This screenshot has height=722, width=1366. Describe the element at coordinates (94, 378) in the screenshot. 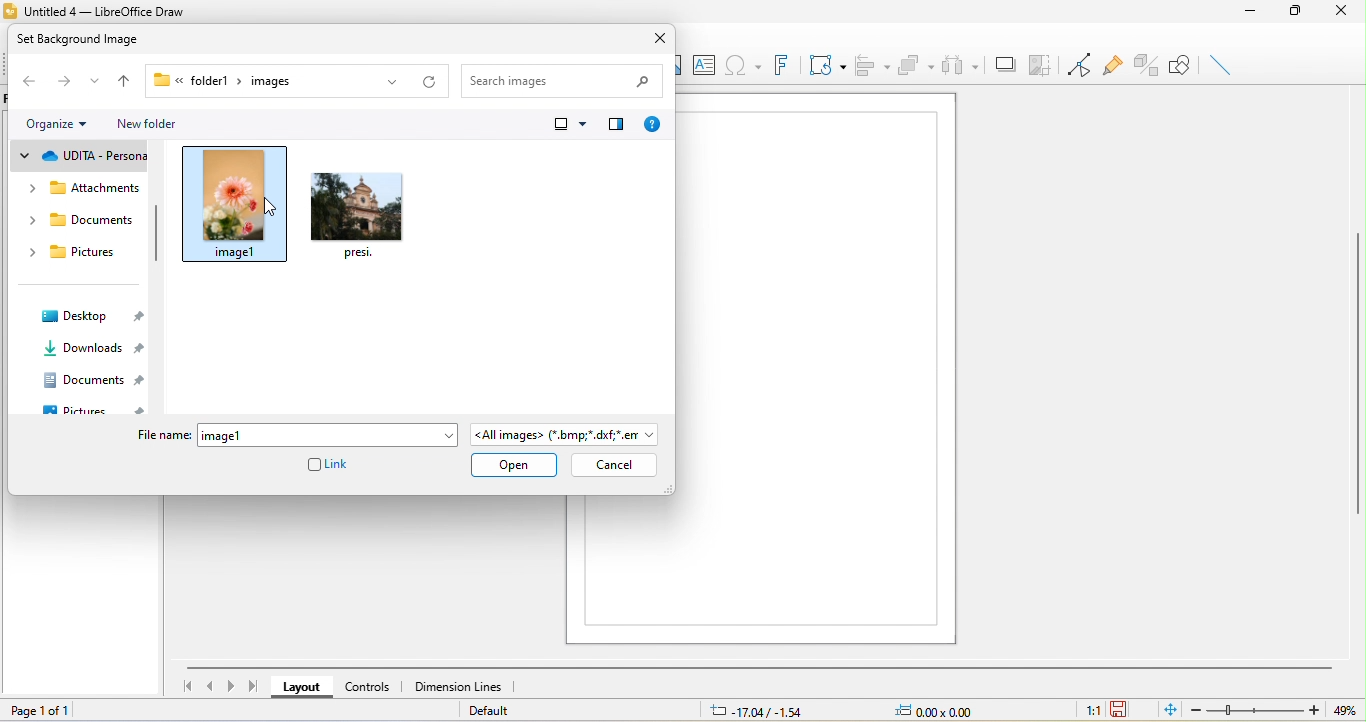

I see `documents` at that location.